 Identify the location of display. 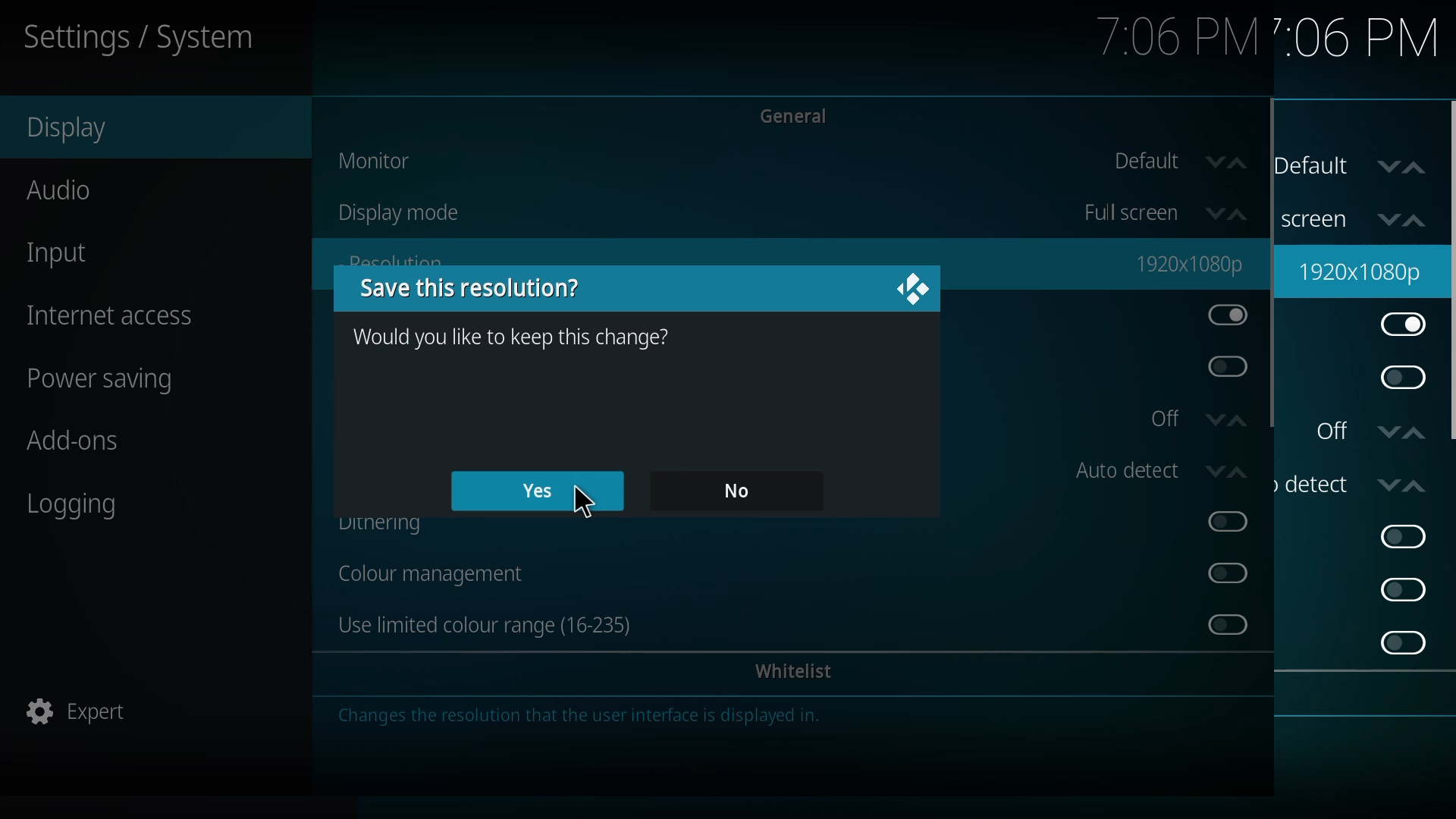
(82, 134).